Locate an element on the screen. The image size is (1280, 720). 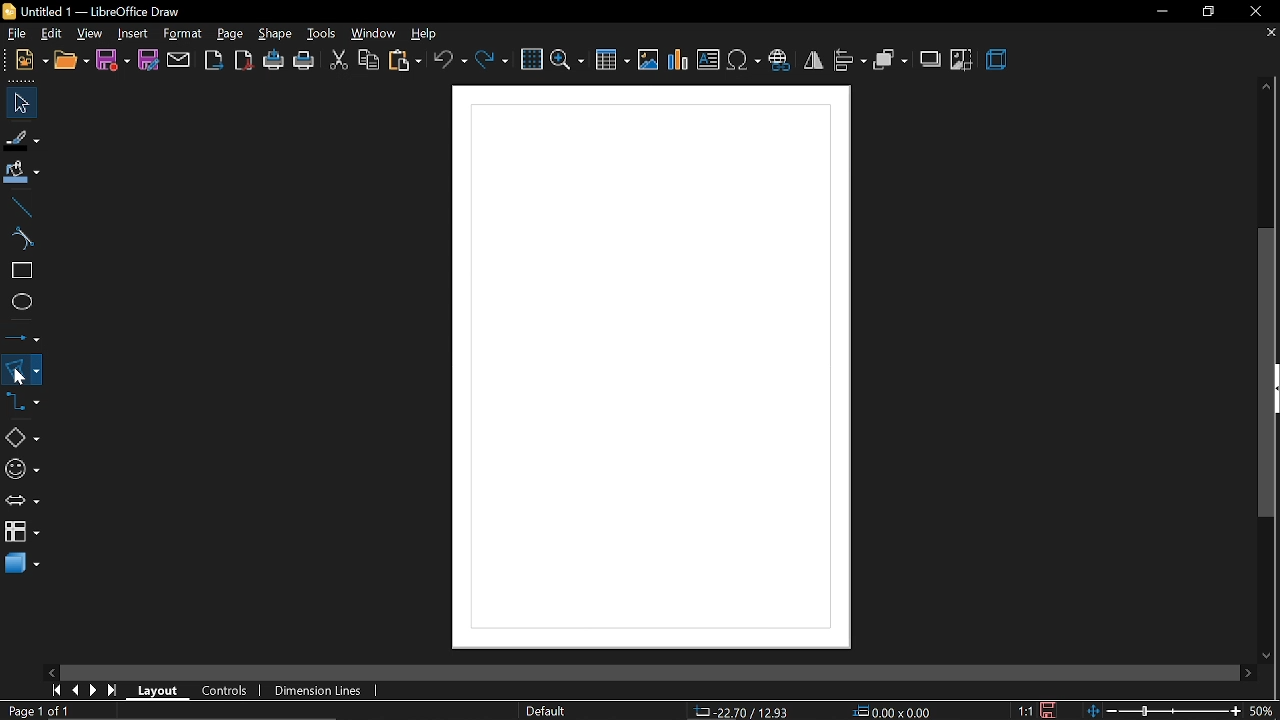
arrows is located at coordinates (22, 502).